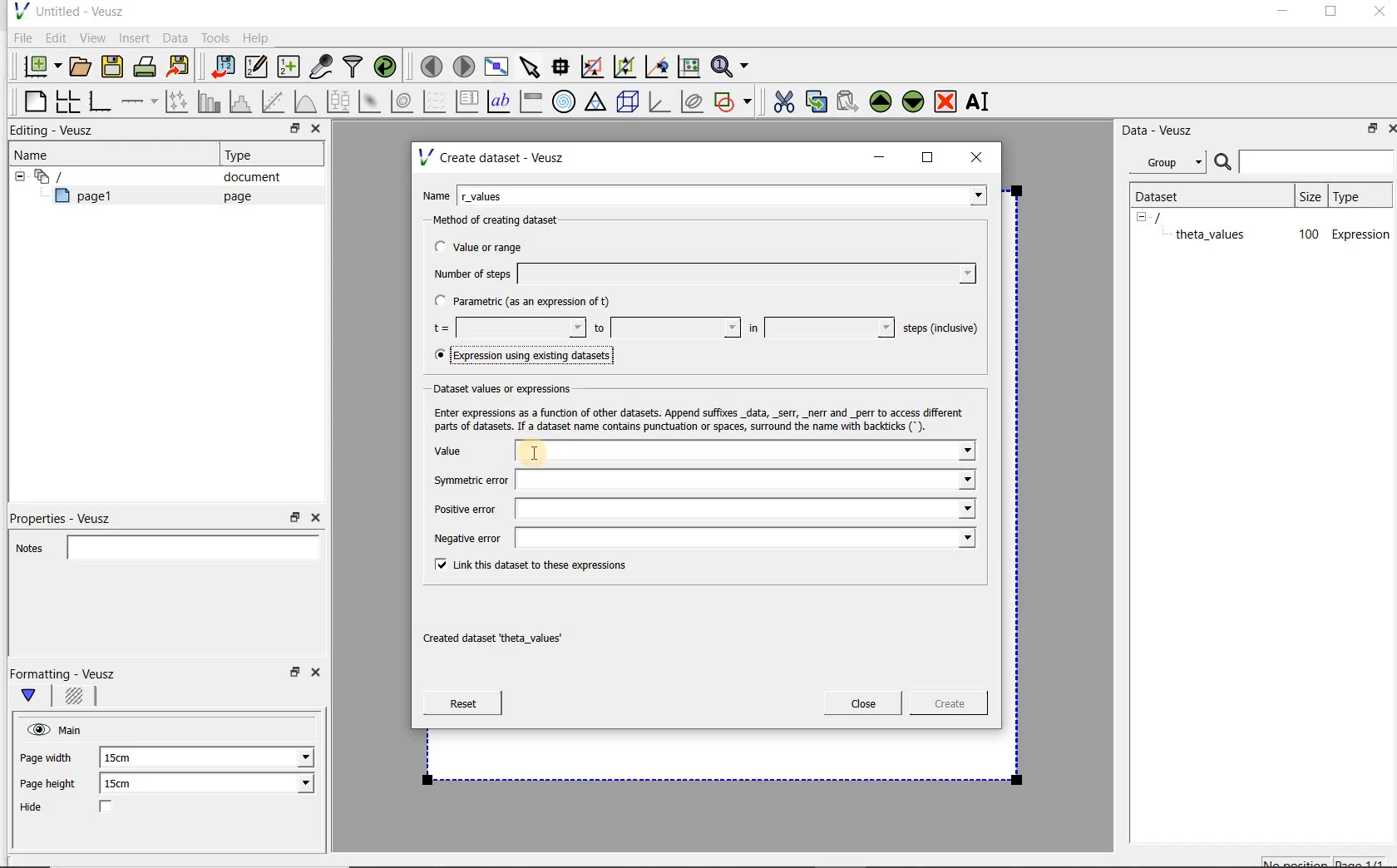 The height and width of the screenshot is (868, 1397). Describe the element at coordinates (293, 677) in the screenshot. I see `restore down` at that location.